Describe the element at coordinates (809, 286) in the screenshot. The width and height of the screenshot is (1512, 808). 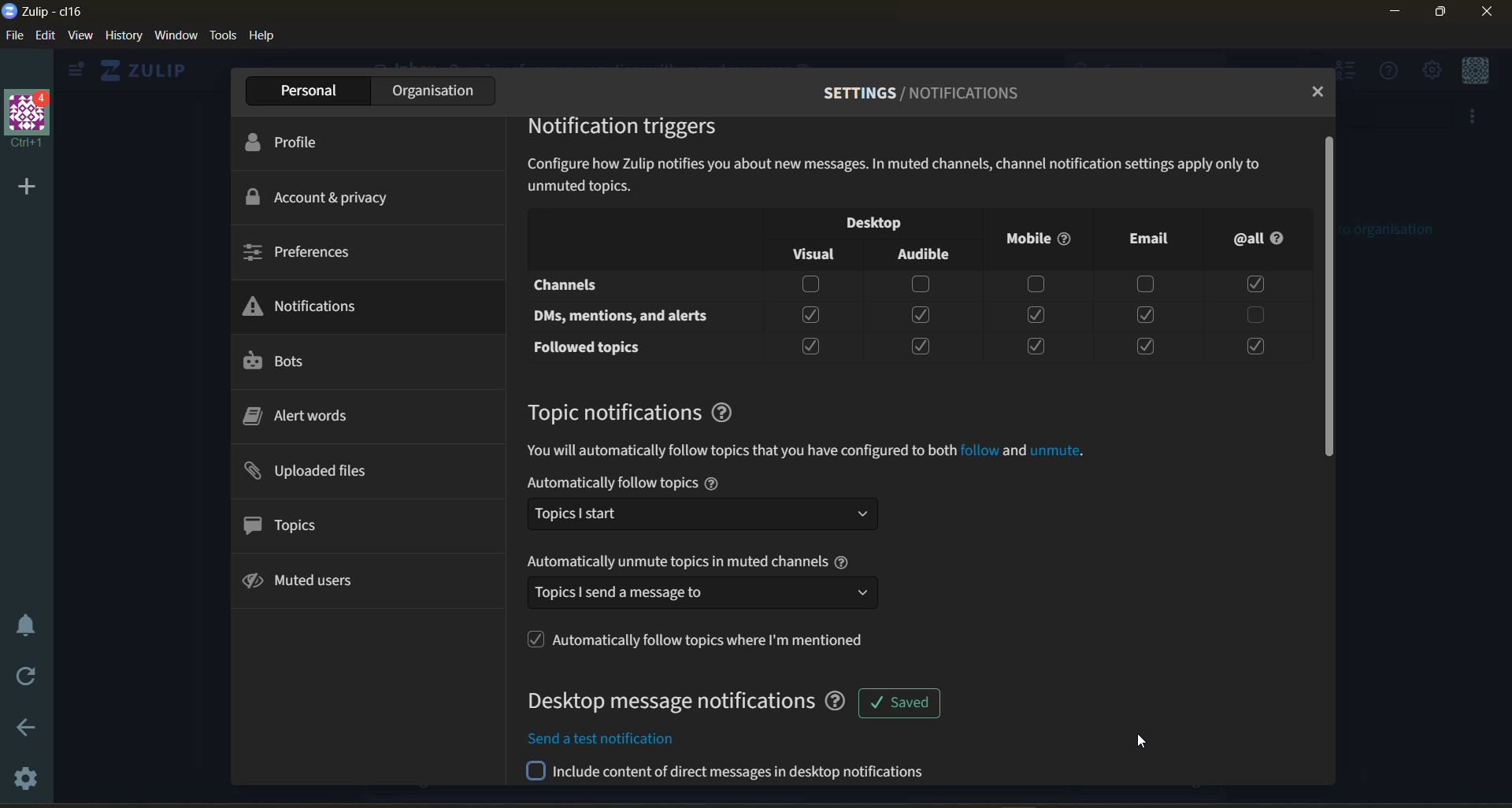
I see `Checkbox` at that location.